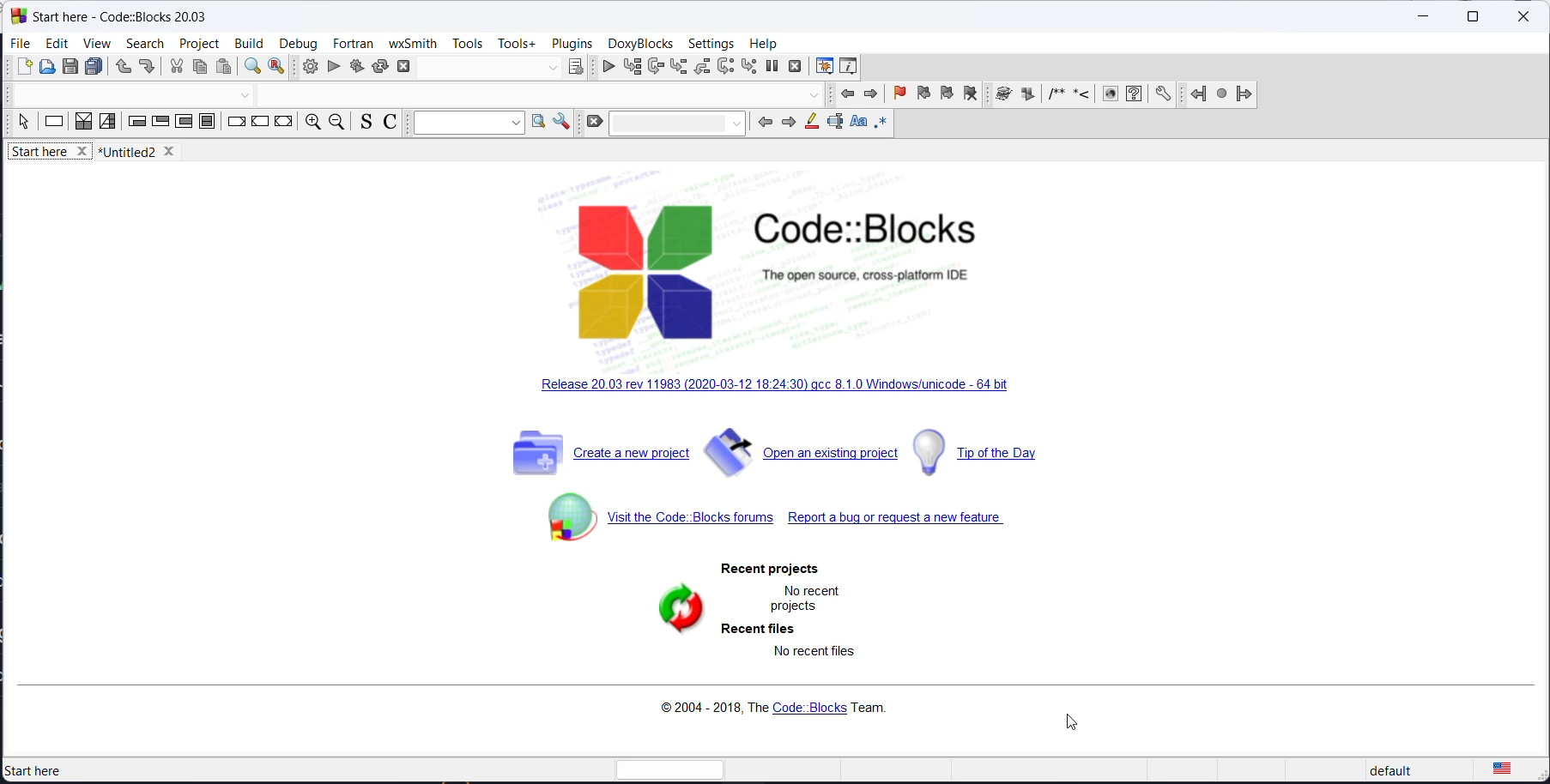 The height and width of the screenshot is (784, 1550). What do you see at coordinates (769, 709) in the screenshot?
I see `copyright` at bounding box center [769, 709].